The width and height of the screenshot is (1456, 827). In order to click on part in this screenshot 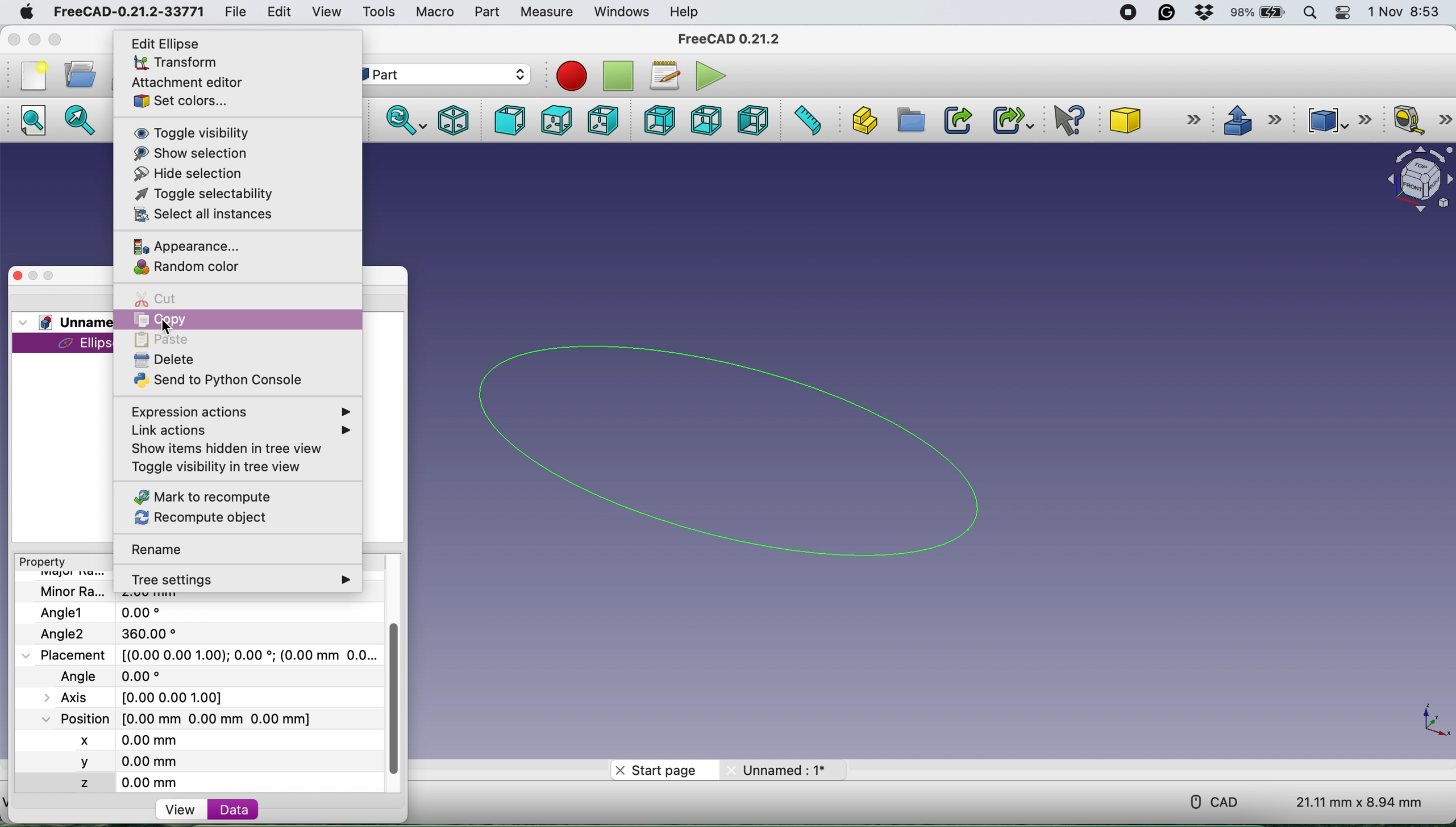, I will do `click(485, 12)`.